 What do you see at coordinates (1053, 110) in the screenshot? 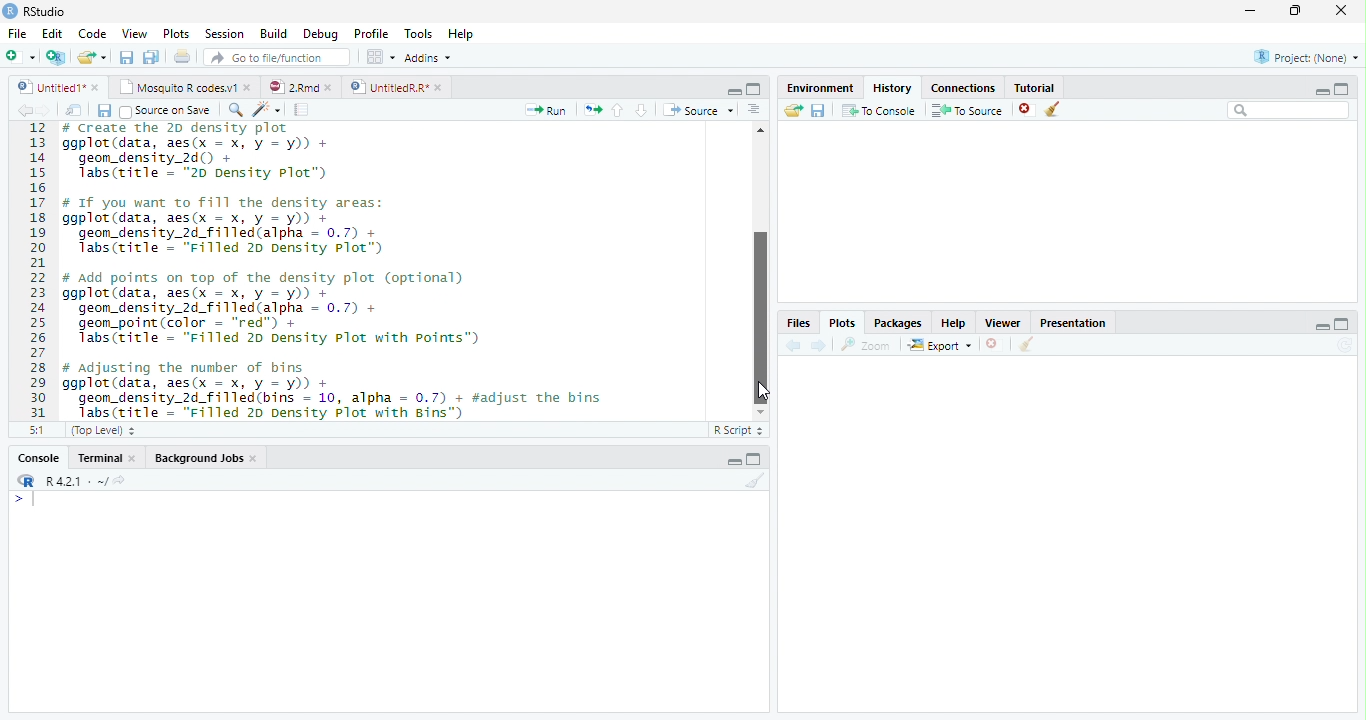
I see `clear` at bounding box center [1053, 110].